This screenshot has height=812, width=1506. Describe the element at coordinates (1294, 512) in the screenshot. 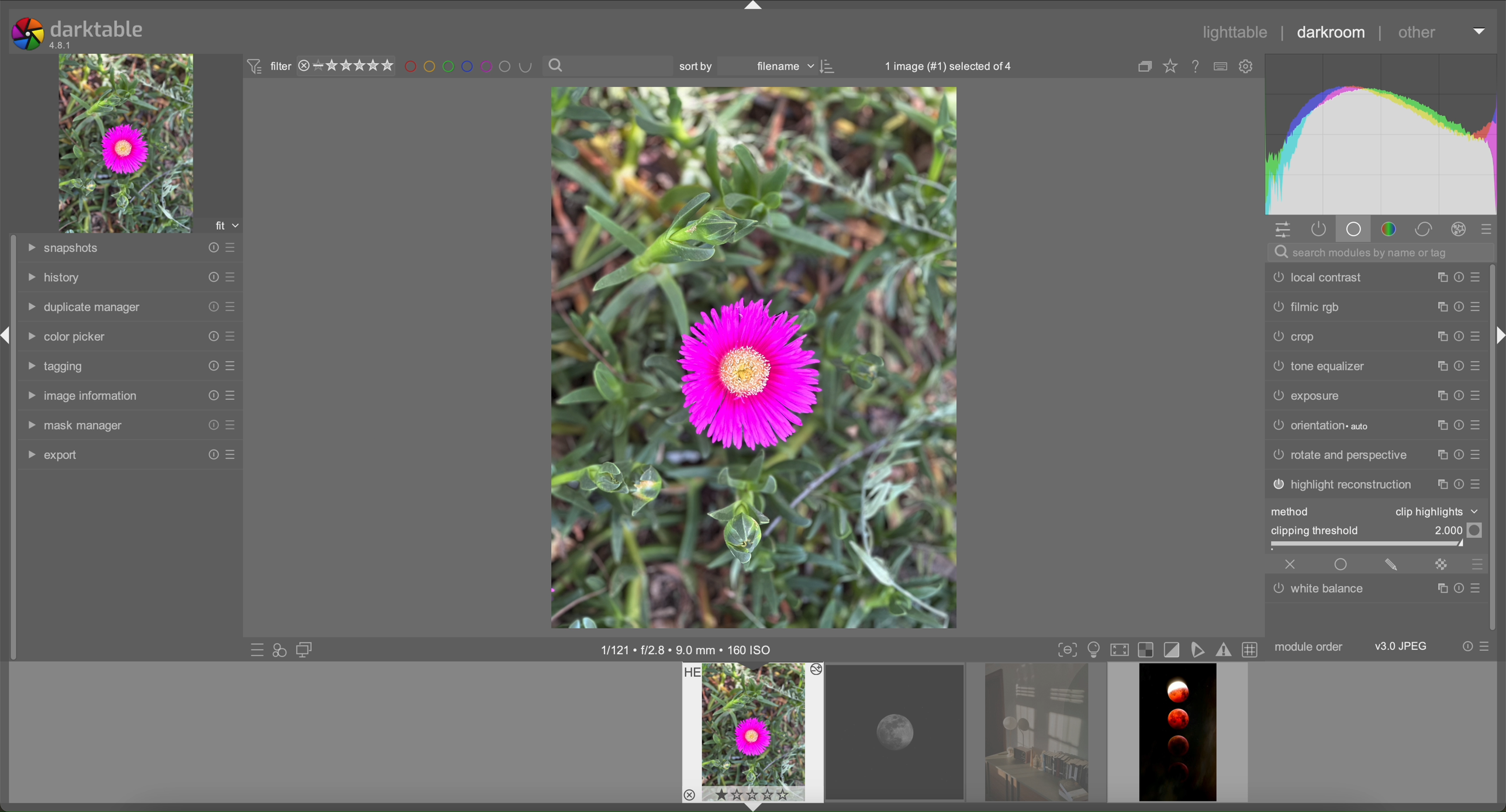

I see `method` at that location.